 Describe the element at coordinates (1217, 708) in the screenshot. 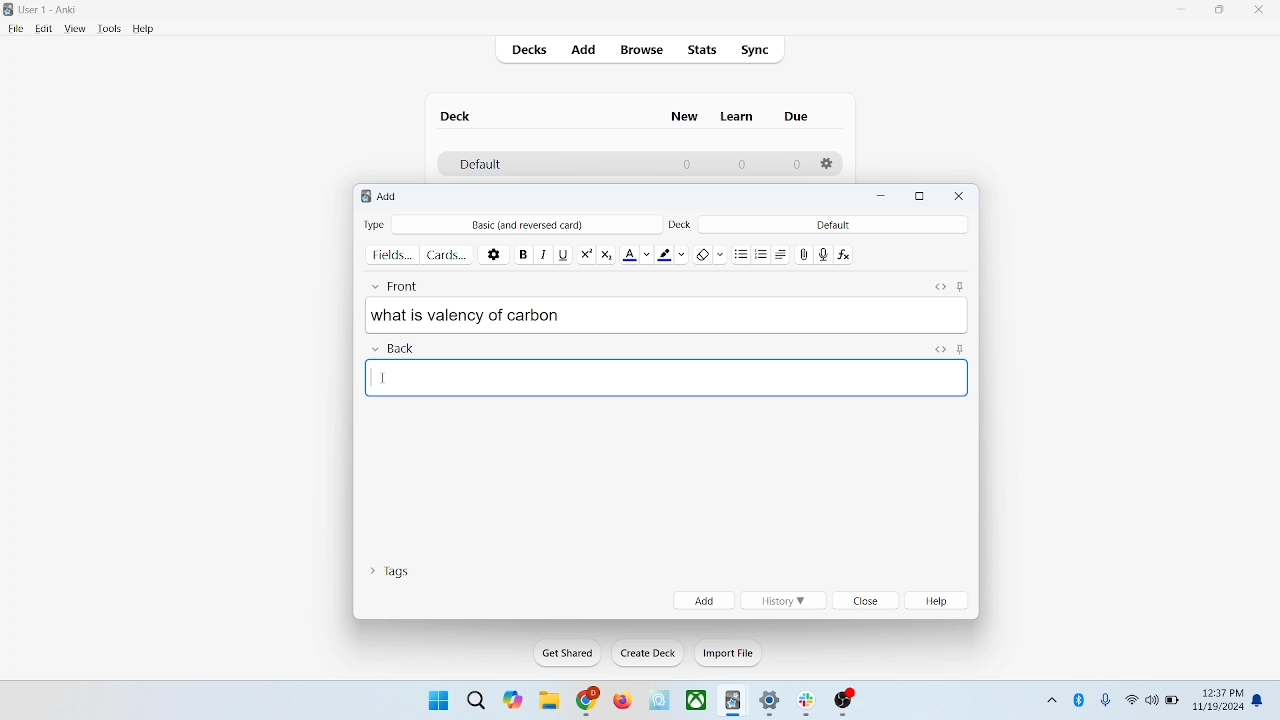

I see `11/19/2024` at that location.